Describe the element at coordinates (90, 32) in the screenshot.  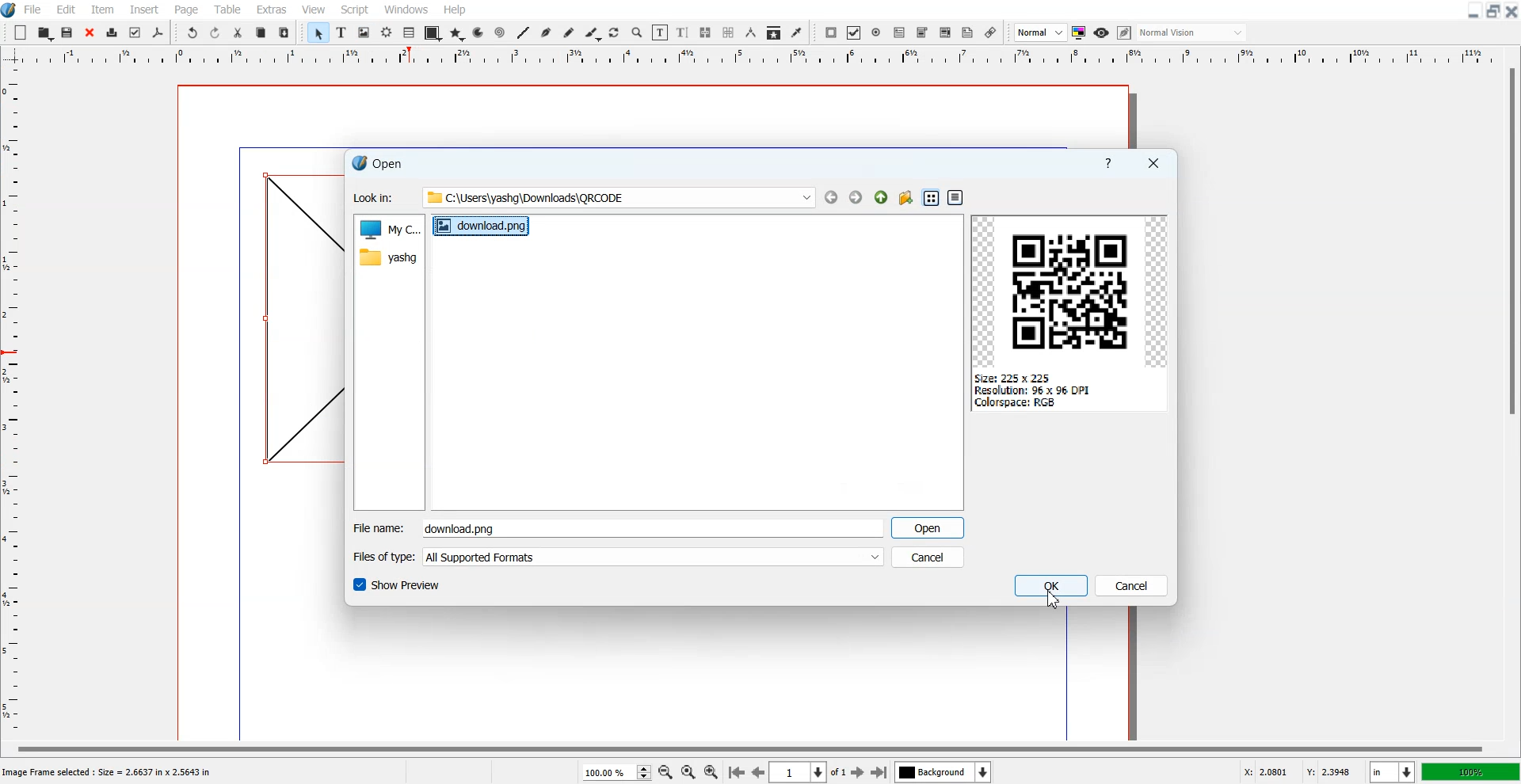
I see `Close` at that location.